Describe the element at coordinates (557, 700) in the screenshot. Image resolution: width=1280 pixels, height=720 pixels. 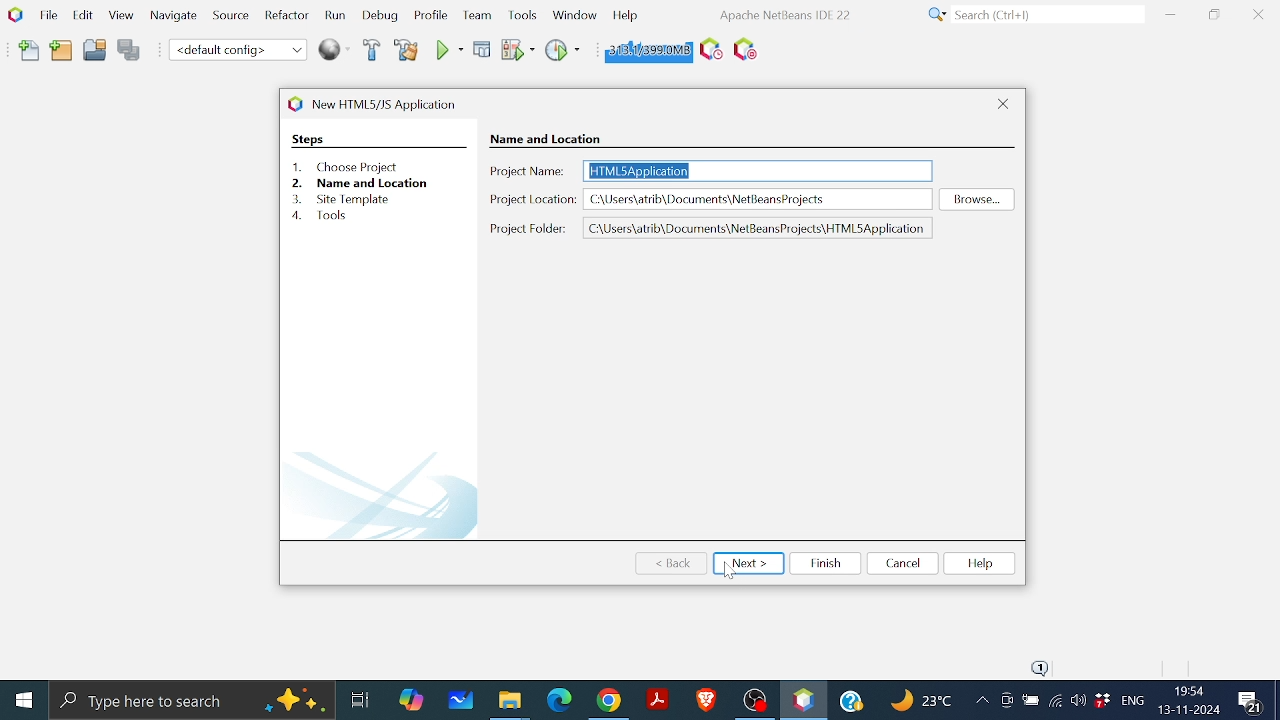
I see `Microsoft edge` at that location.